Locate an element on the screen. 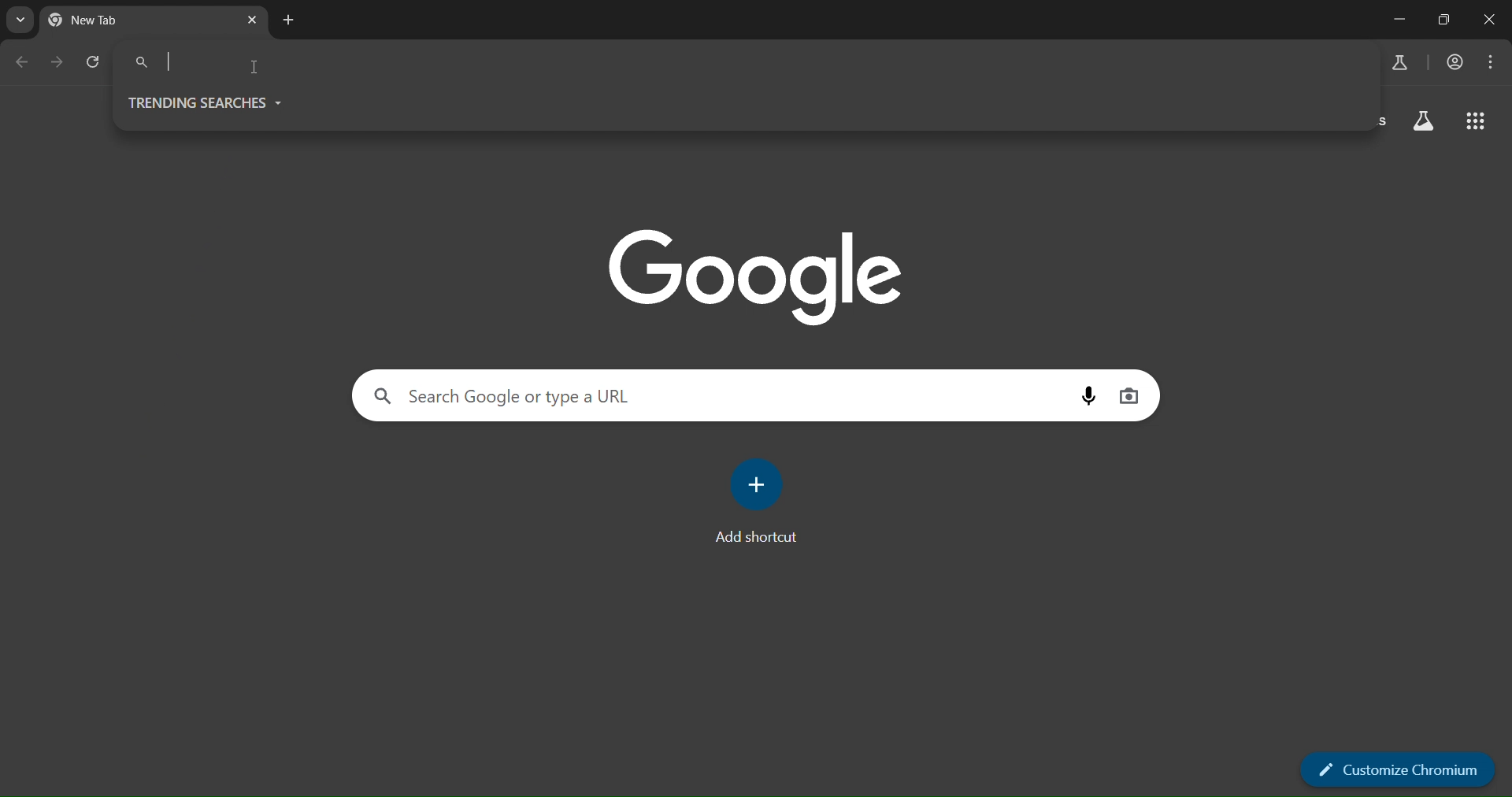 The width and height of the screenshot is (1512, 797). google is located at coordinates (755, 276).